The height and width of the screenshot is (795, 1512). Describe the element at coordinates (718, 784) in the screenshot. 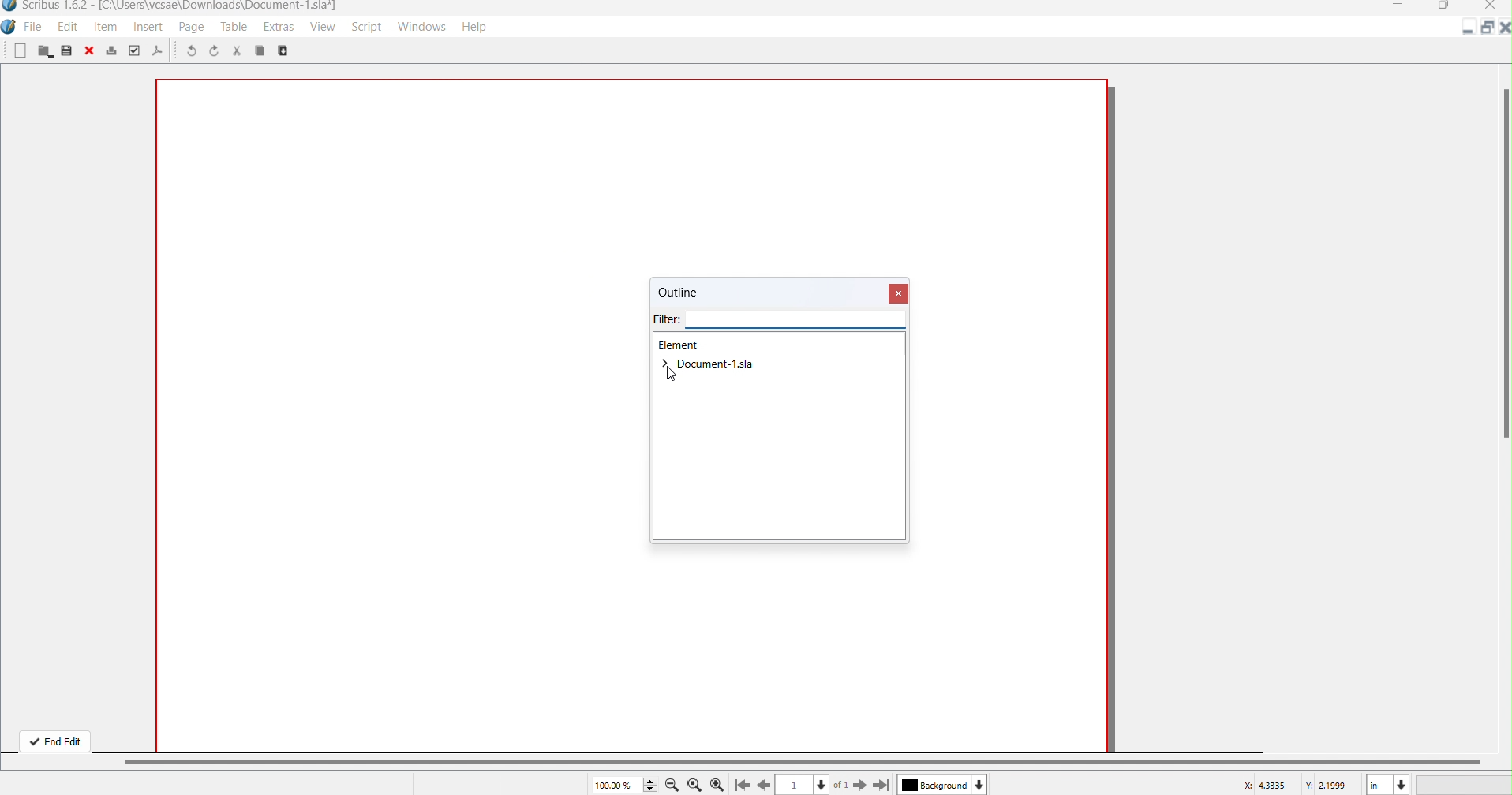

I see `zoom in` at that location.